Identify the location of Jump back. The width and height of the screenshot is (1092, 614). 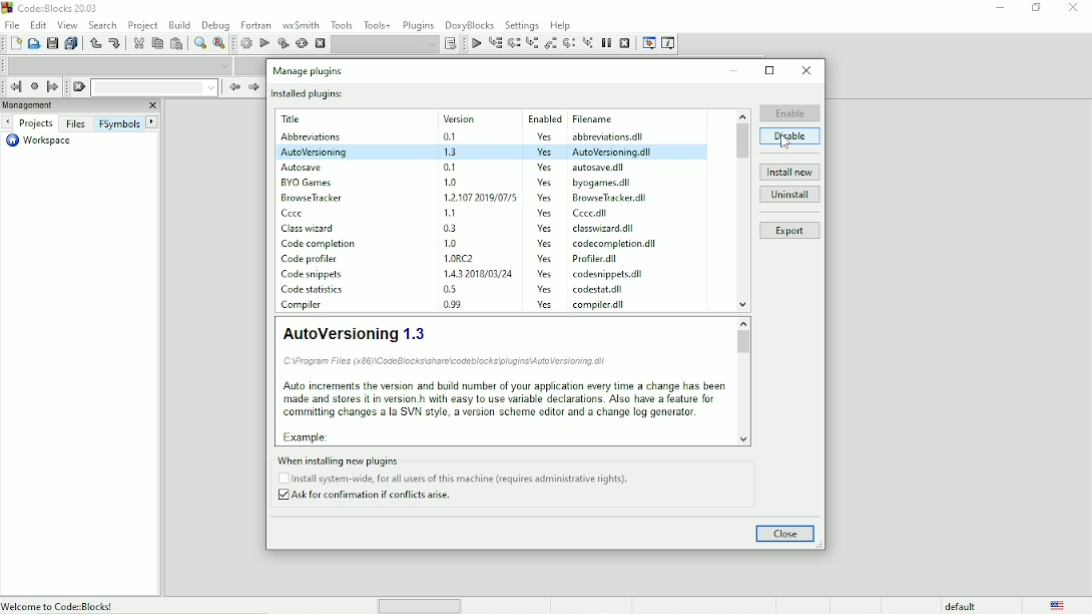
(13, 87).